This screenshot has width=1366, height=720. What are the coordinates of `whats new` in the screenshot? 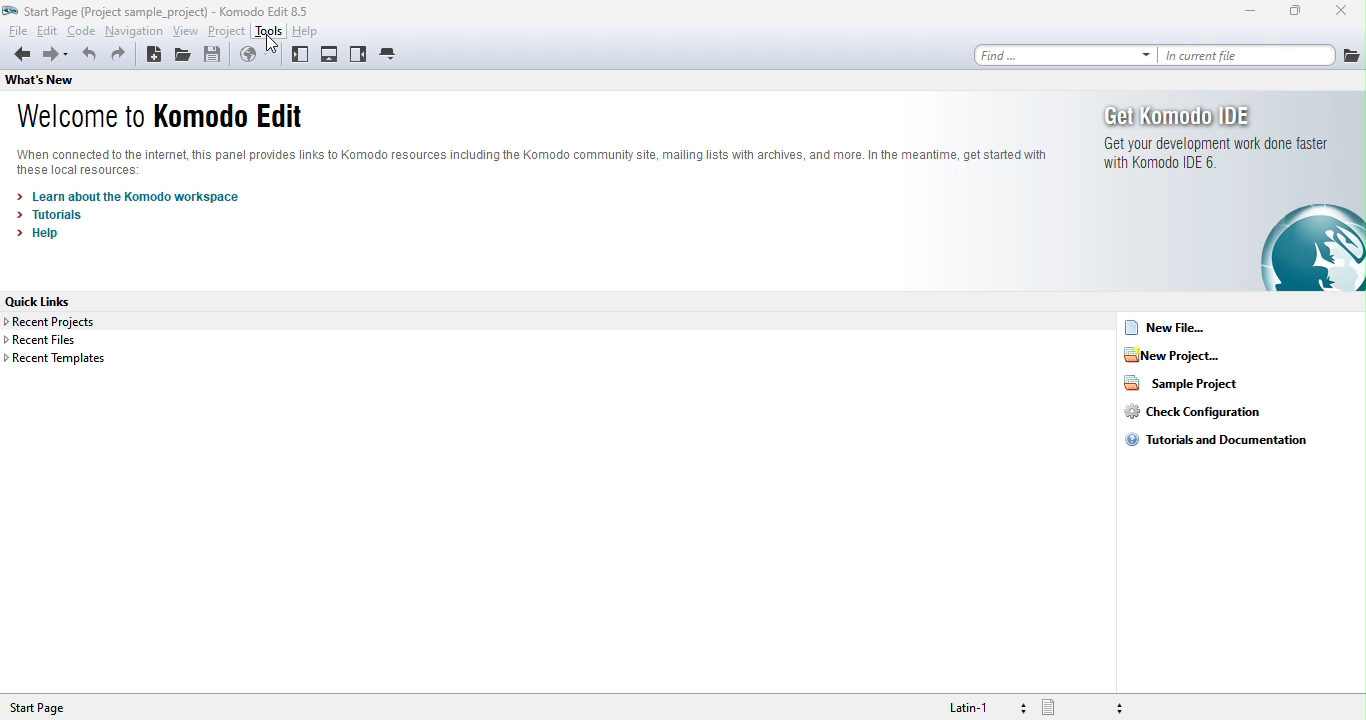 It's located at (61, 81).